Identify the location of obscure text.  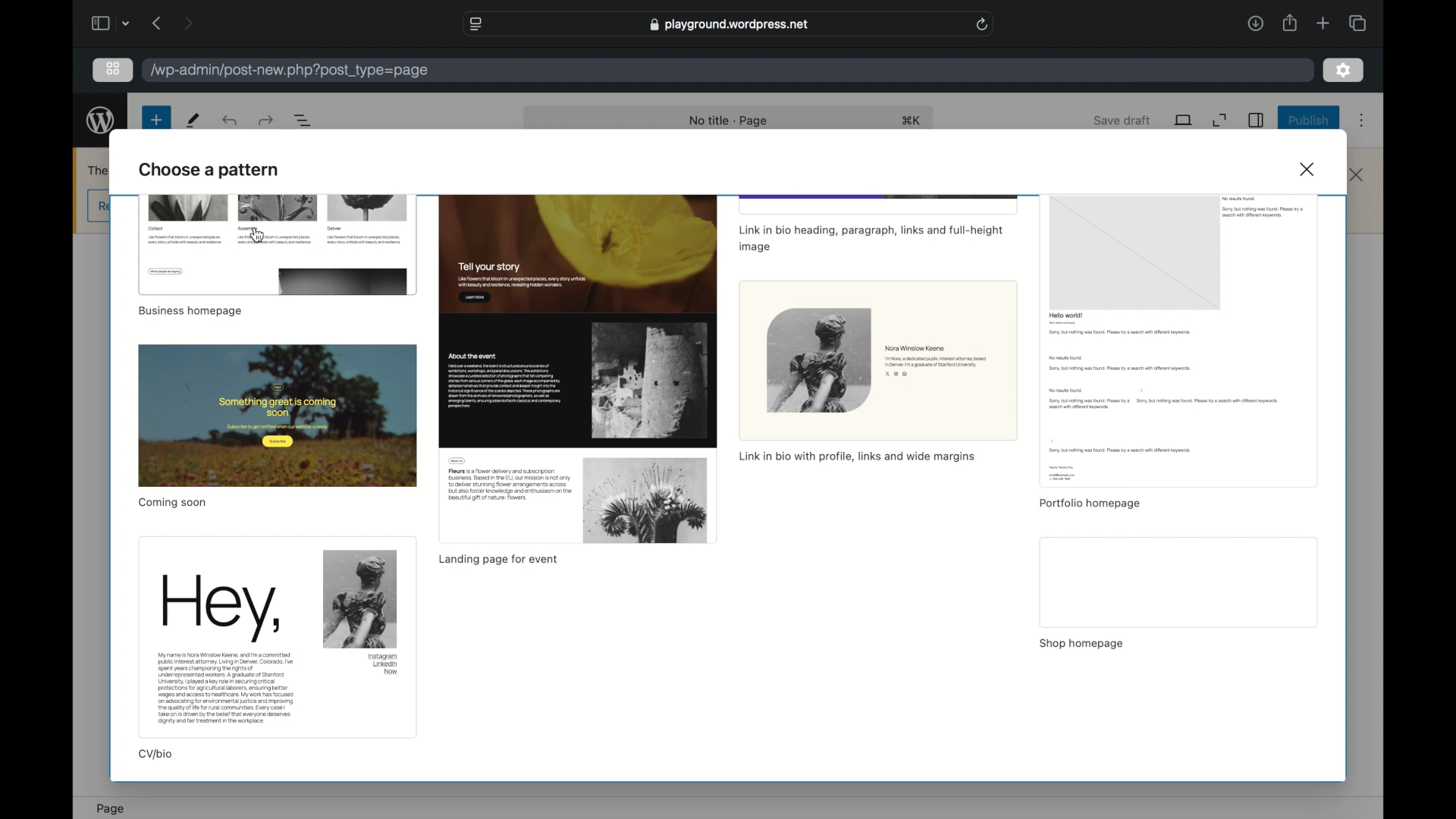
(99, 171).